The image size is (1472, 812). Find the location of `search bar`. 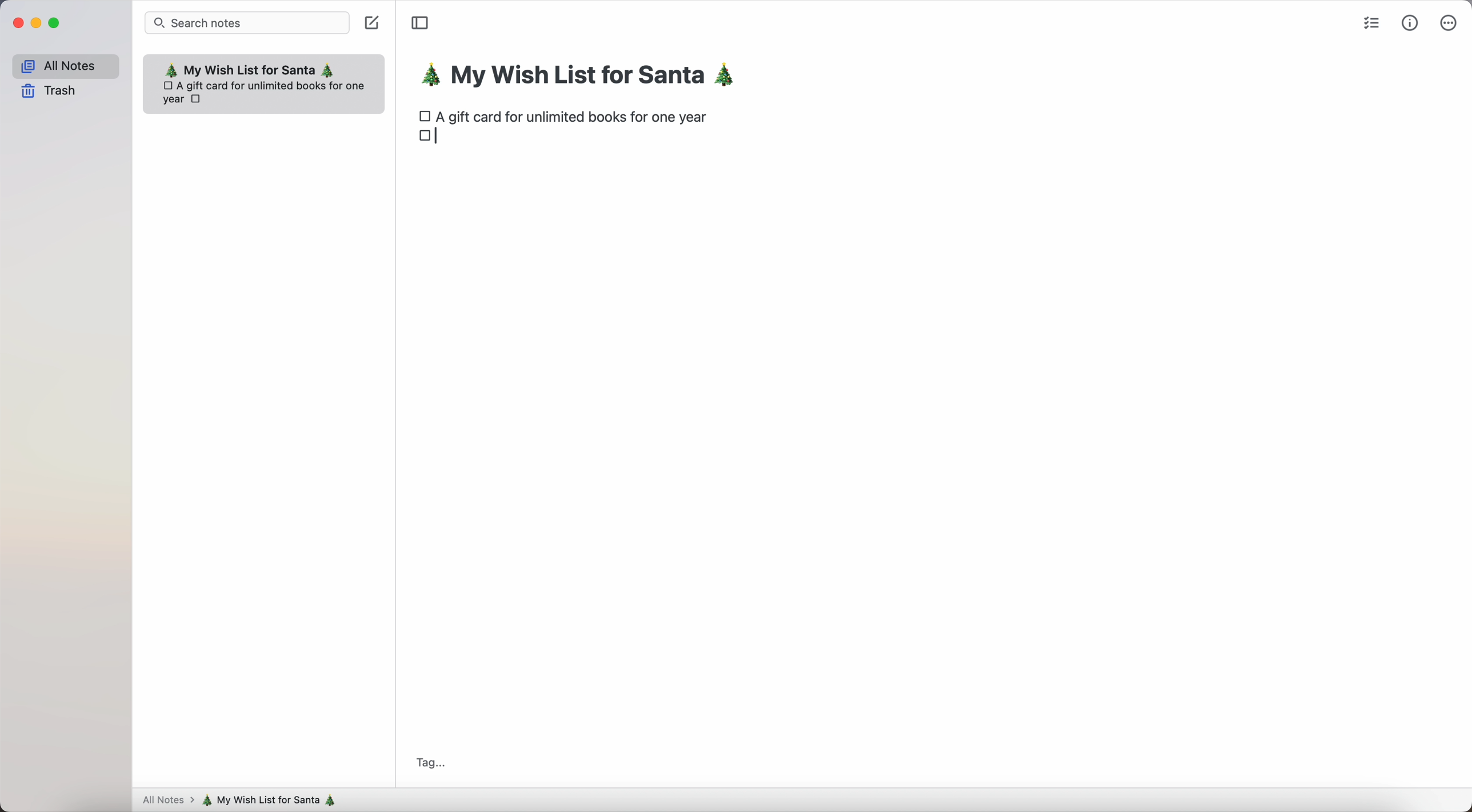

search bar is located at coordinates (247, 22).